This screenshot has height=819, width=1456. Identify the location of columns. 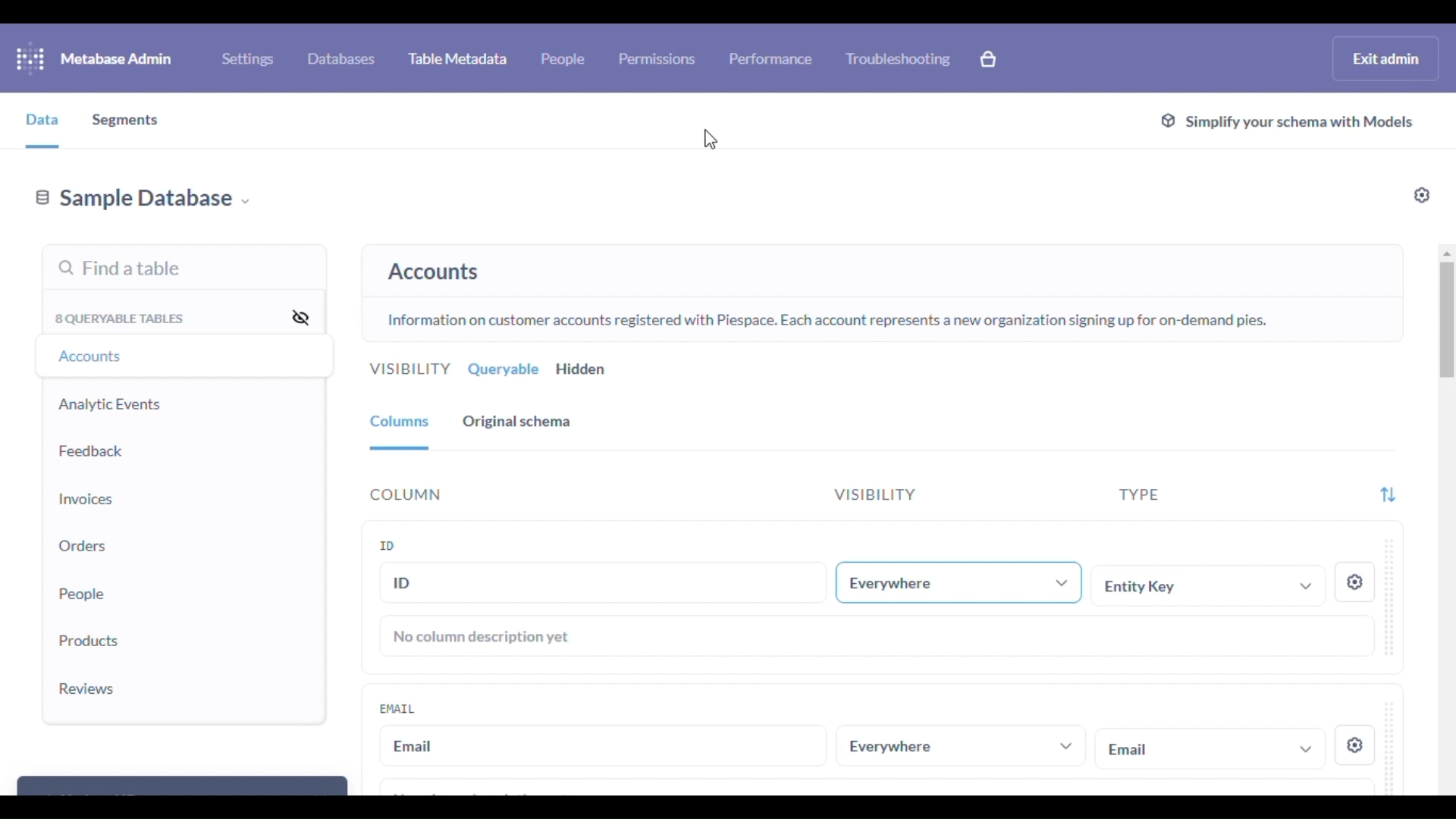
(400, 424).